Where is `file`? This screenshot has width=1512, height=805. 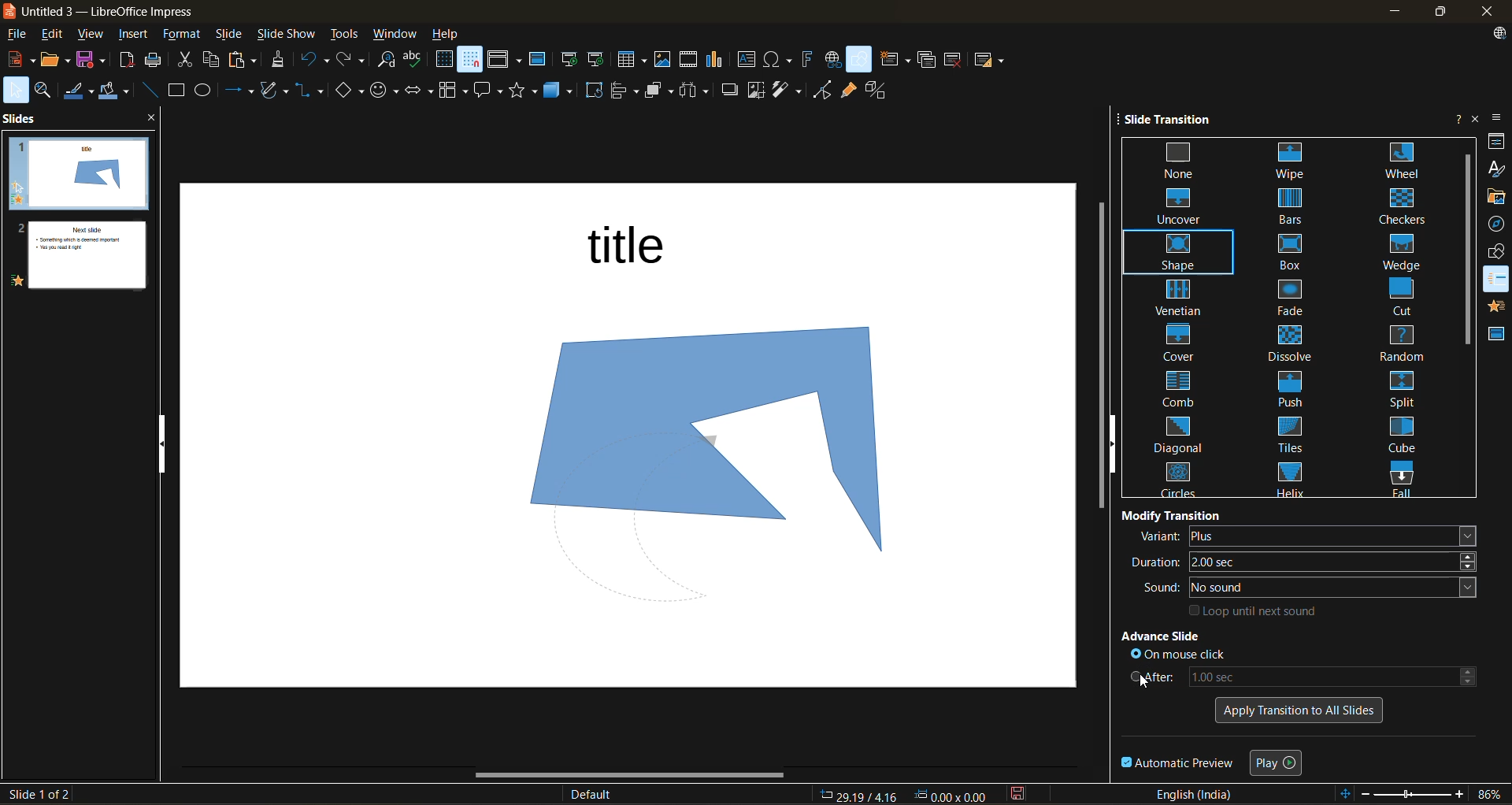
file is located at coordinates (21, 35).